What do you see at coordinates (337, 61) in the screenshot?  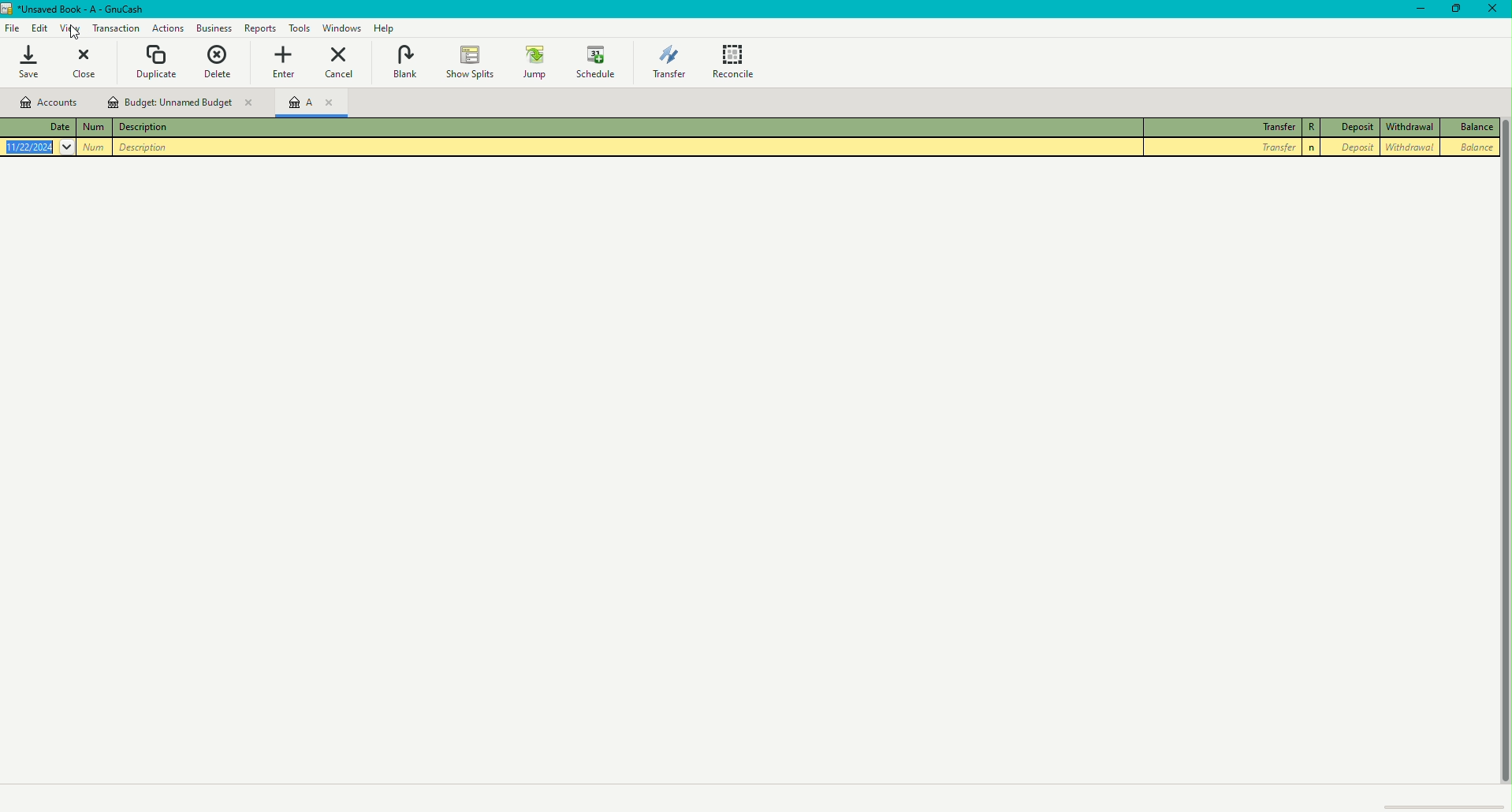 I see `Cancel` at bounding box center [337, 61].